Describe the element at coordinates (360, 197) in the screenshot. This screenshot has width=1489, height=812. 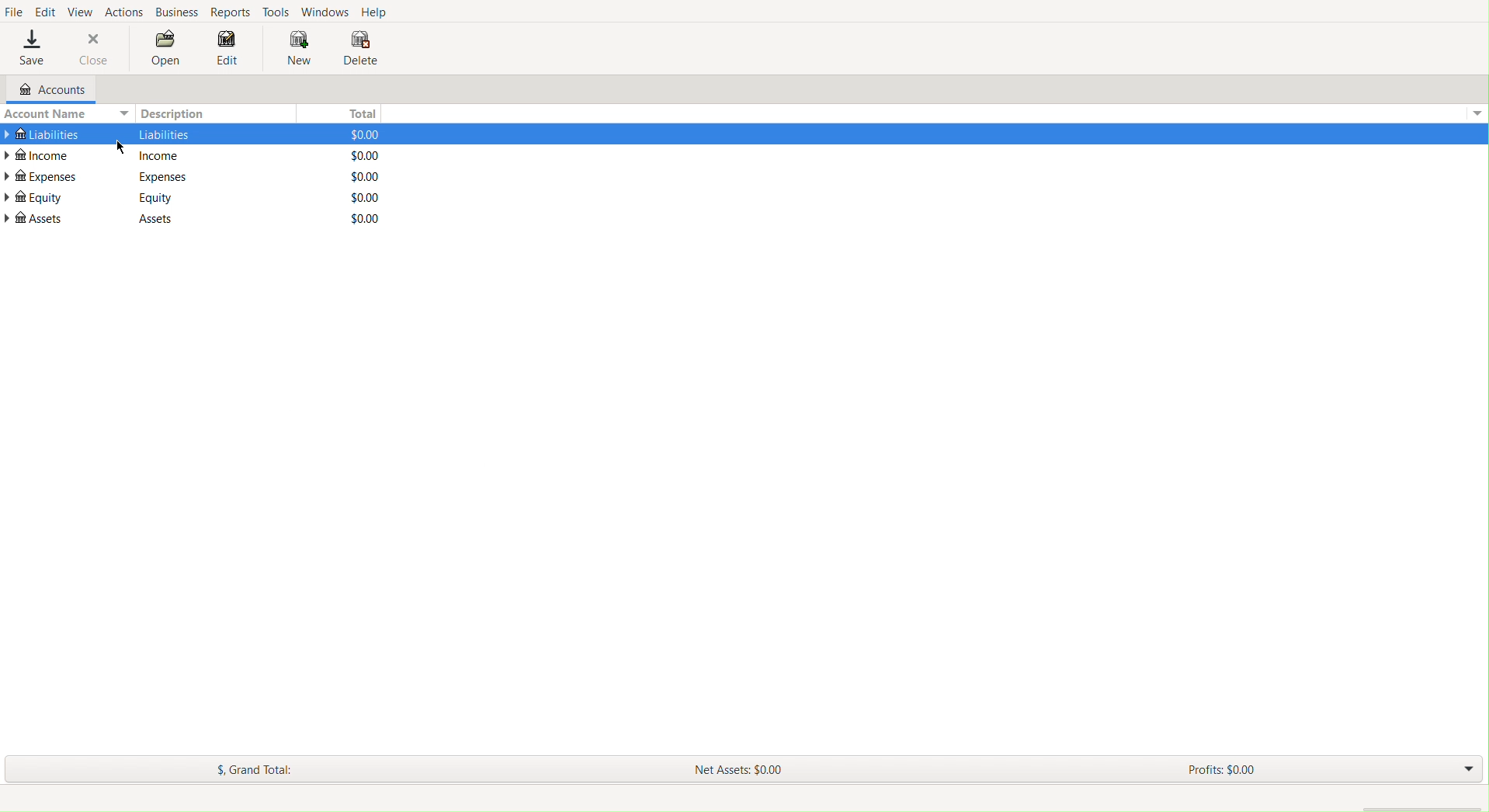
I see `$0.00` at that location.